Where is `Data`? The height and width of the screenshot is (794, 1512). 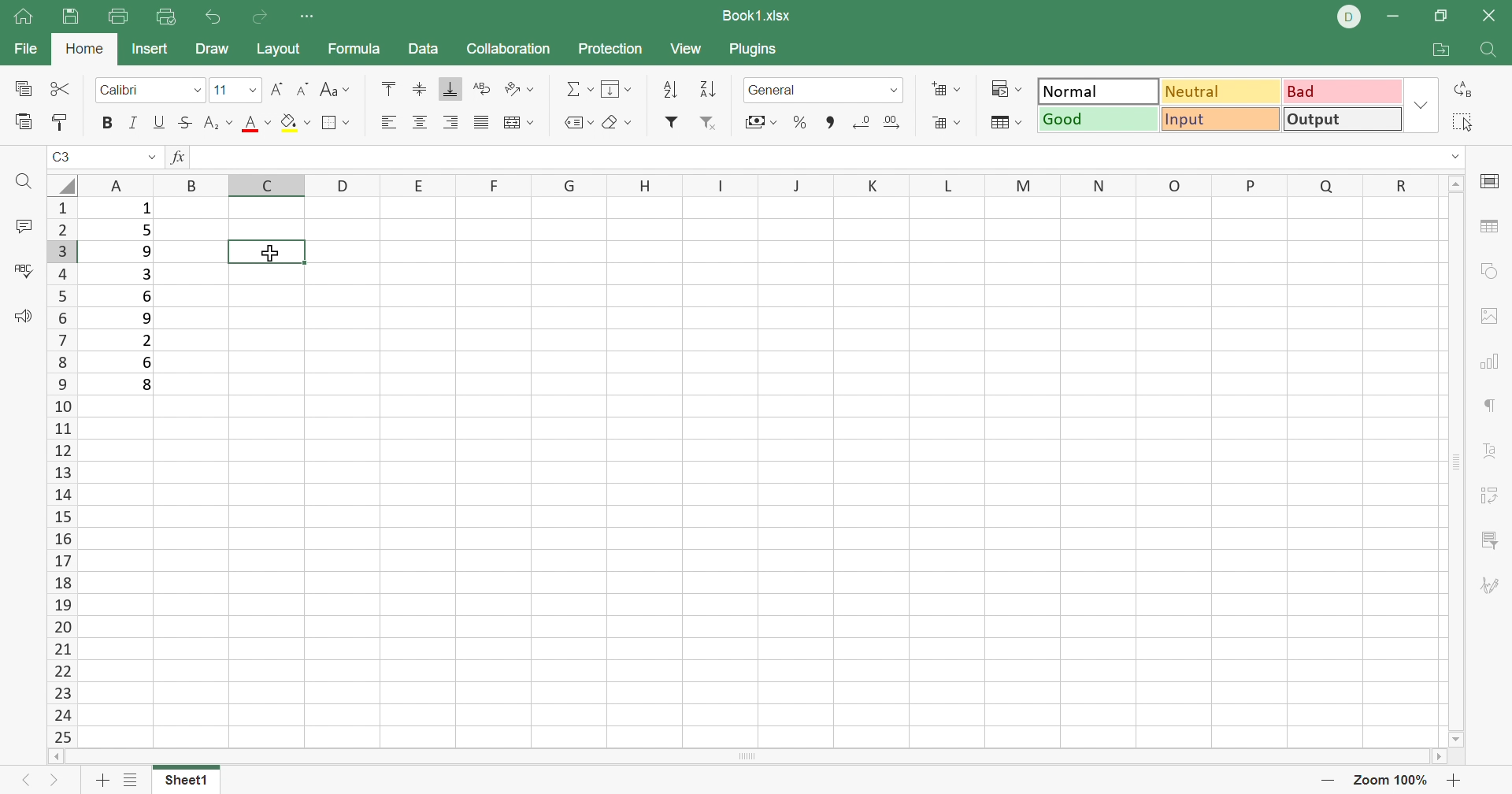
Data is located at coordinates (423, 46).